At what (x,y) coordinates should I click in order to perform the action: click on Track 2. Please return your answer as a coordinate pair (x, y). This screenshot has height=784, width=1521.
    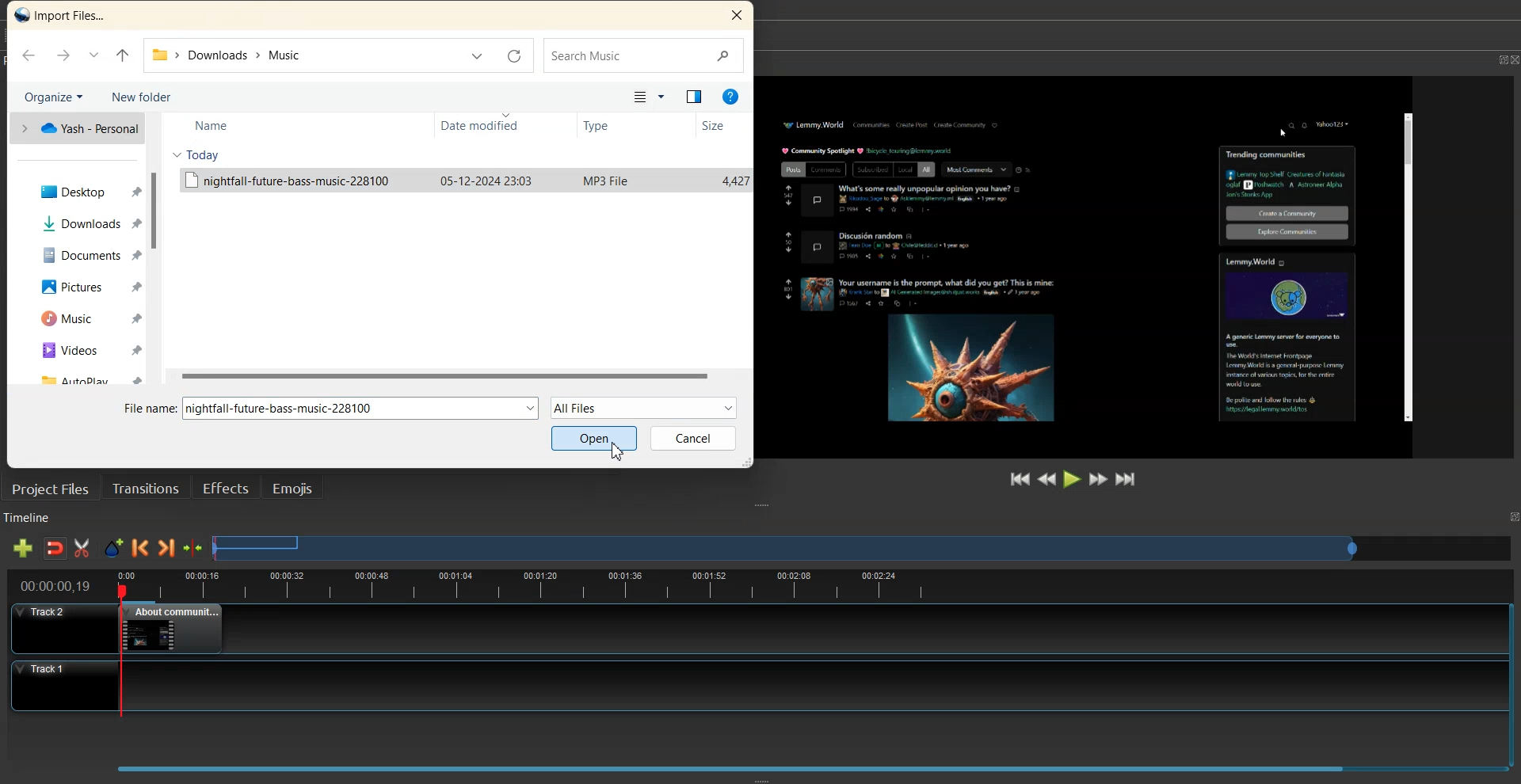
    Looking at the image, I should click on (43, 630).